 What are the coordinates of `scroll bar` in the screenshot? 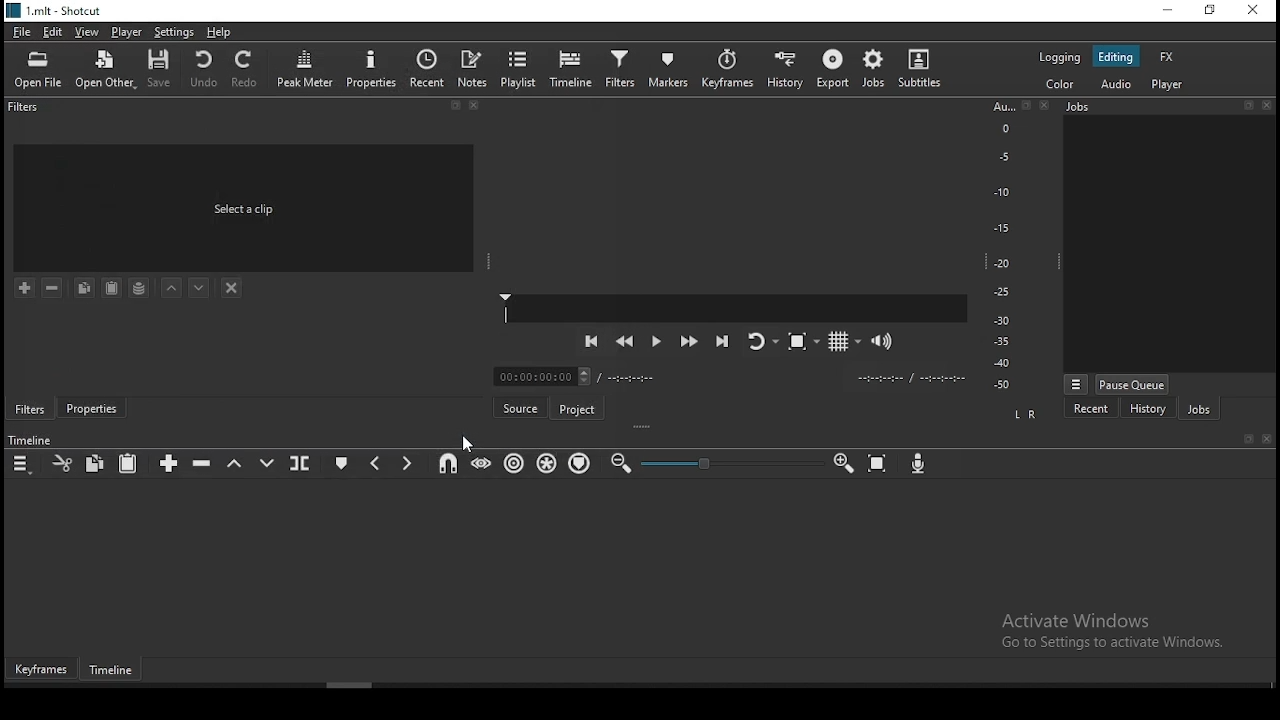 It's located at (378, 686).